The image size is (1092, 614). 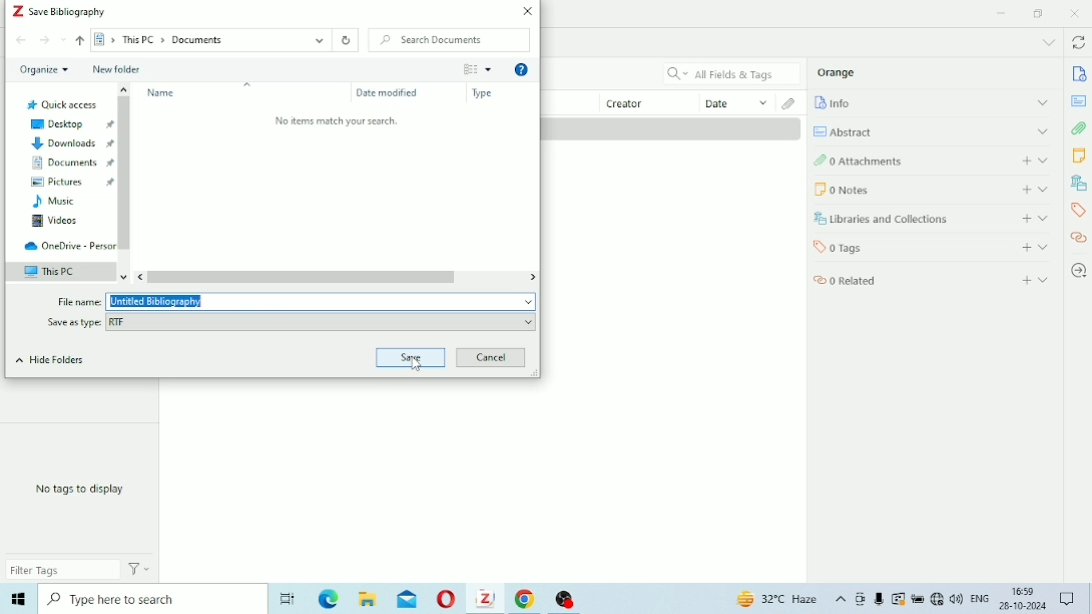 What do you see at coordinates (369, 599) in the screenshot?
I see `File Explorer` at bounding box center [369, 599].